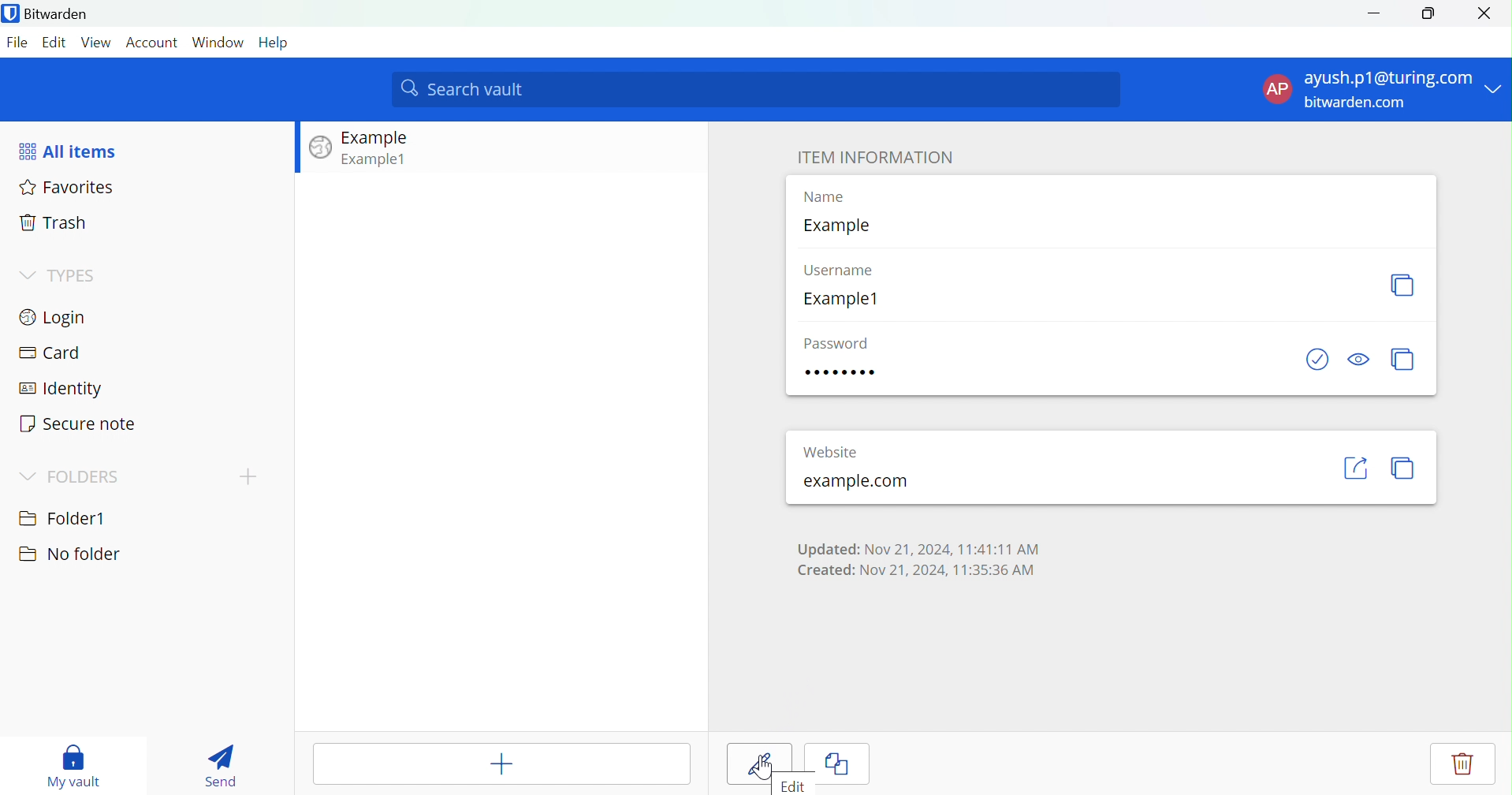 The width and height of the screenshot is (1512, 795). Describe the element at coordinates (503, 763) in the screenshot. I see `Add Item` at that location.